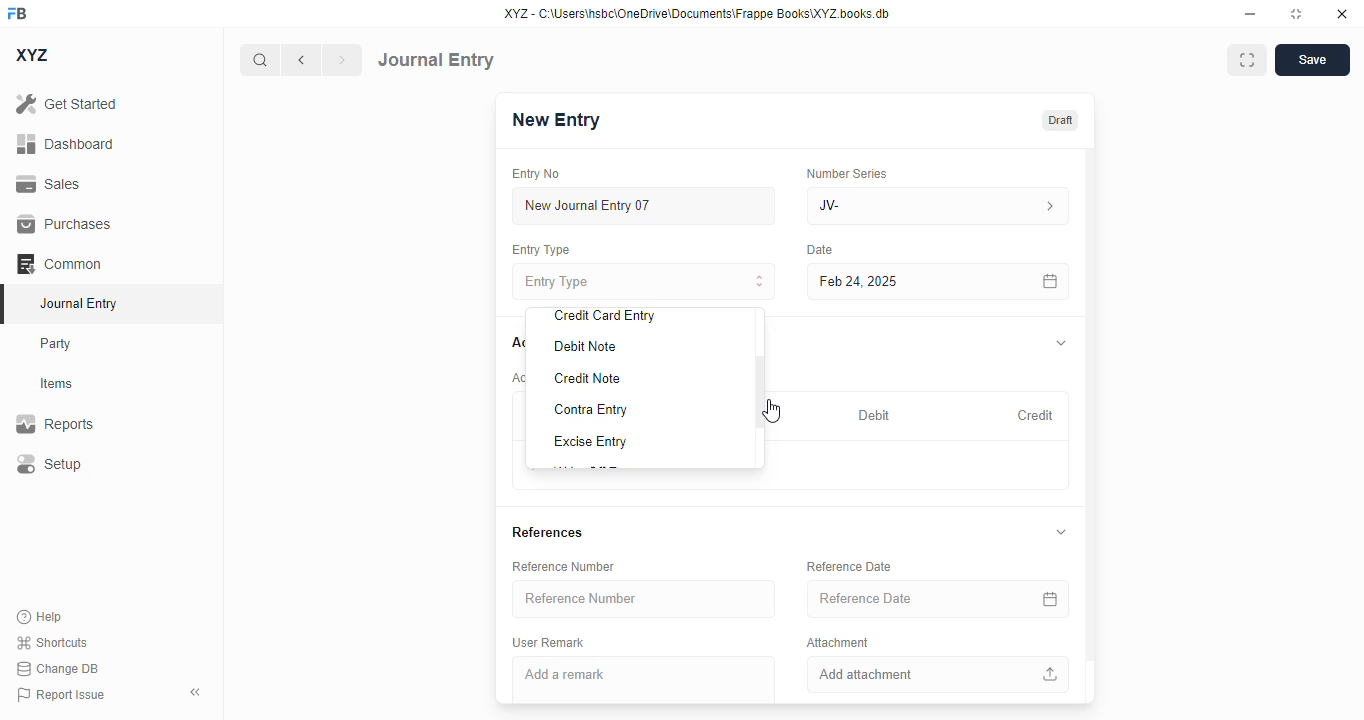 This screenshot has width=1364, height=720. I want to click on search, so click(259, 60).